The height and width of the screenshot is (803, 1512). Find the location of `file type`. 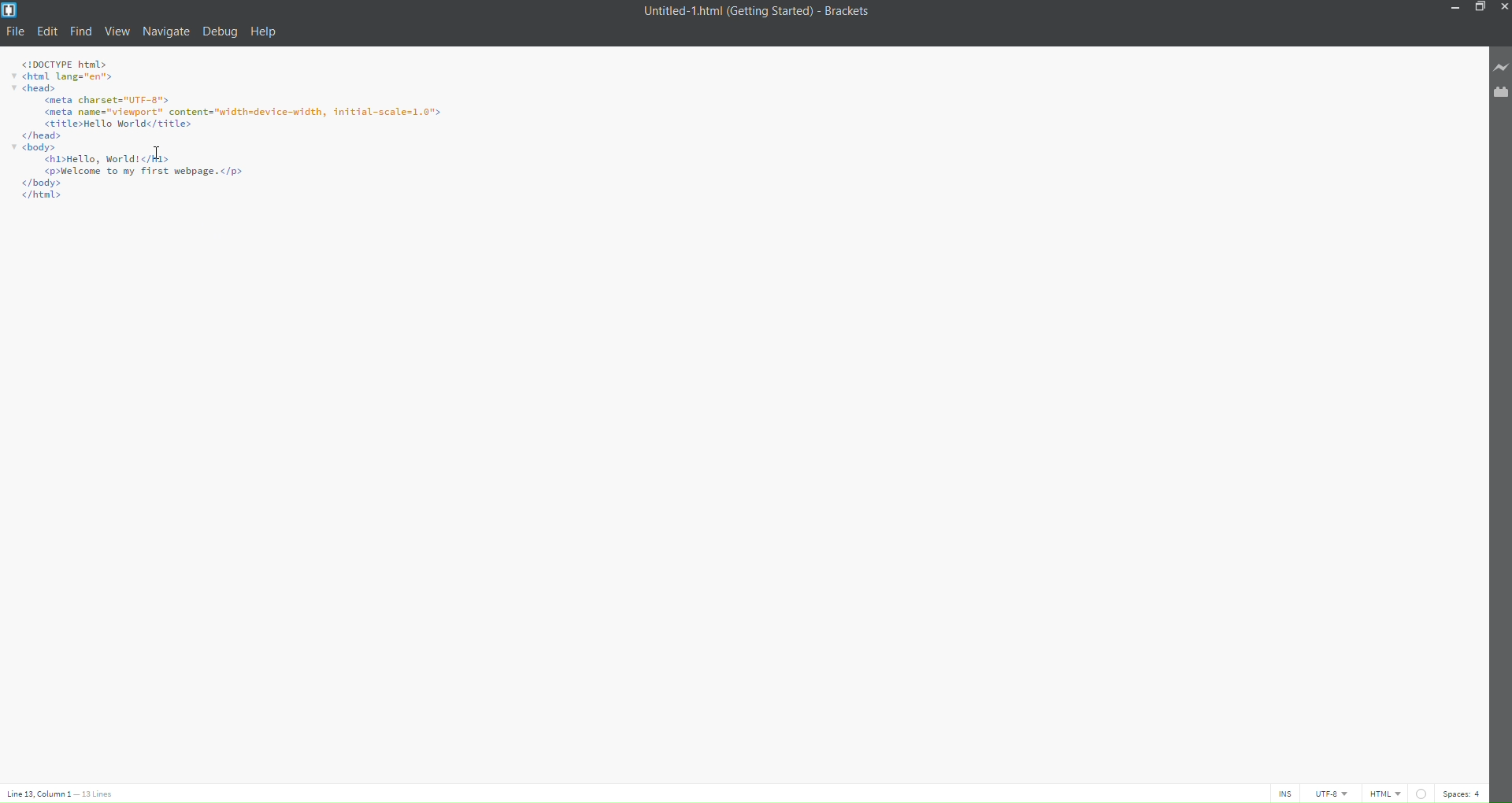

file type is located at coordinates (1385, 794).